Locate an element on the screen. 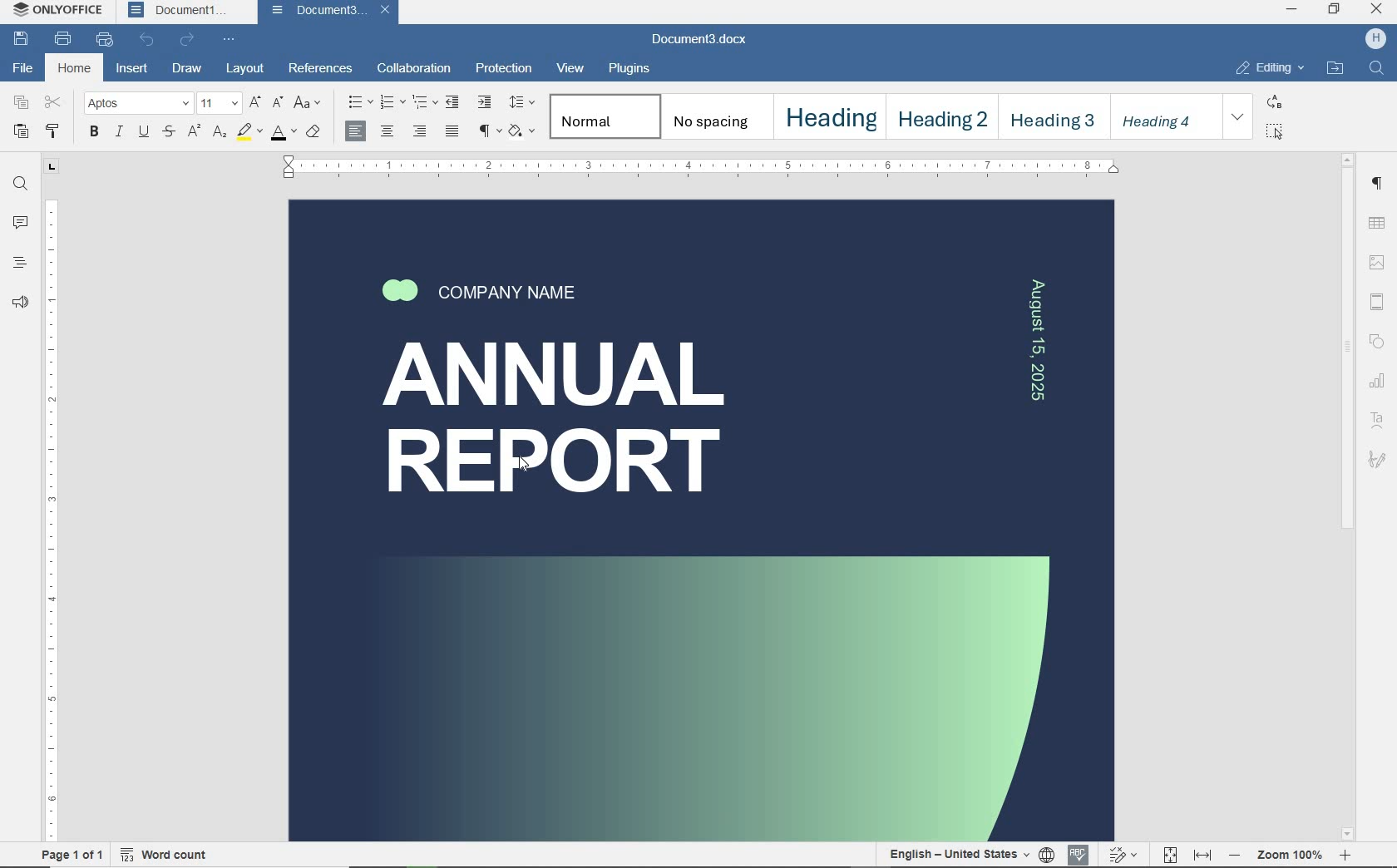 This screenshot has width=1397, height=868. paragraph line spacing is located at coordinates (521, 103).